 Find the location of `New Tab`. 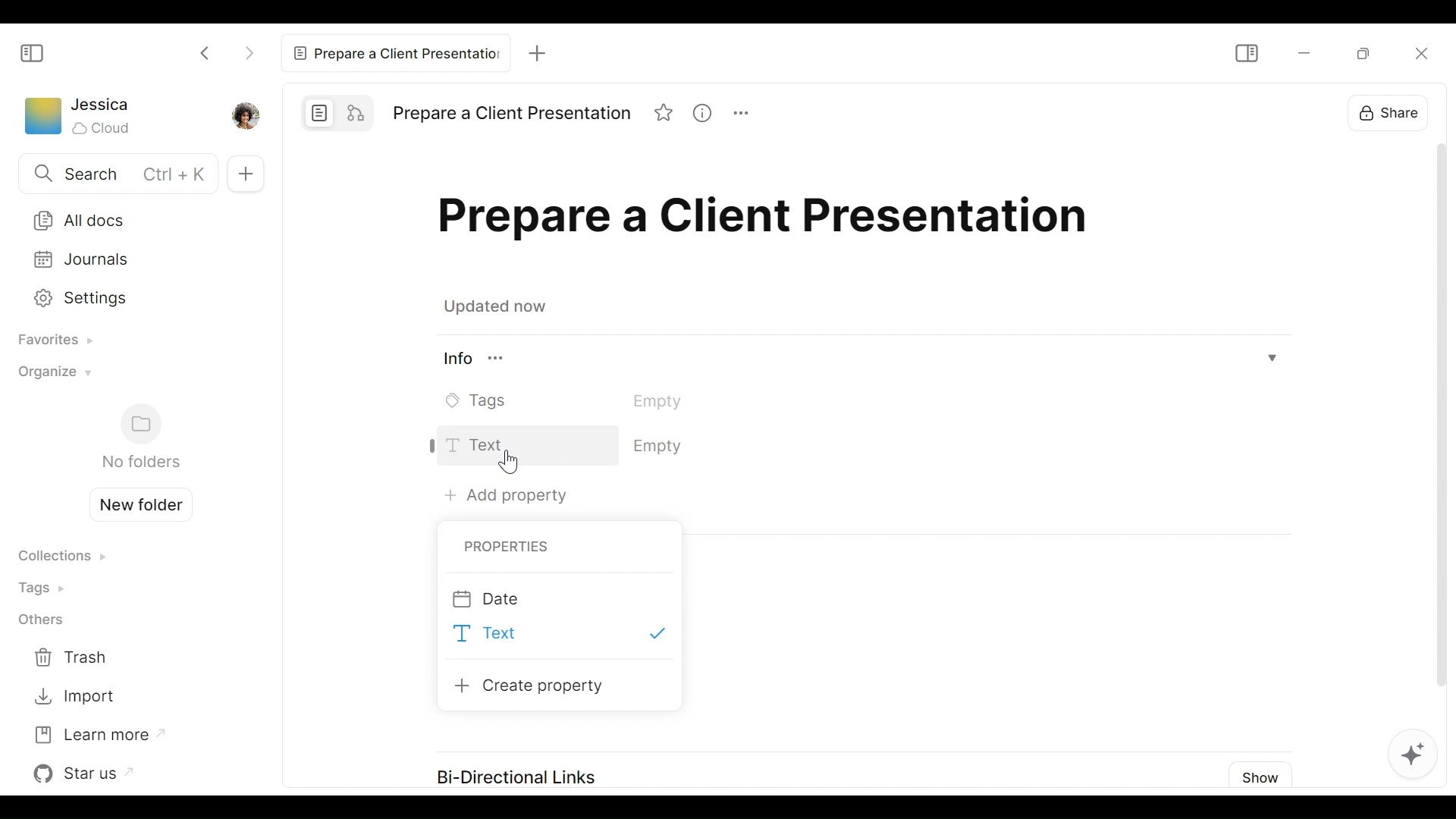

New Tab is located at coordinates (538, 52).